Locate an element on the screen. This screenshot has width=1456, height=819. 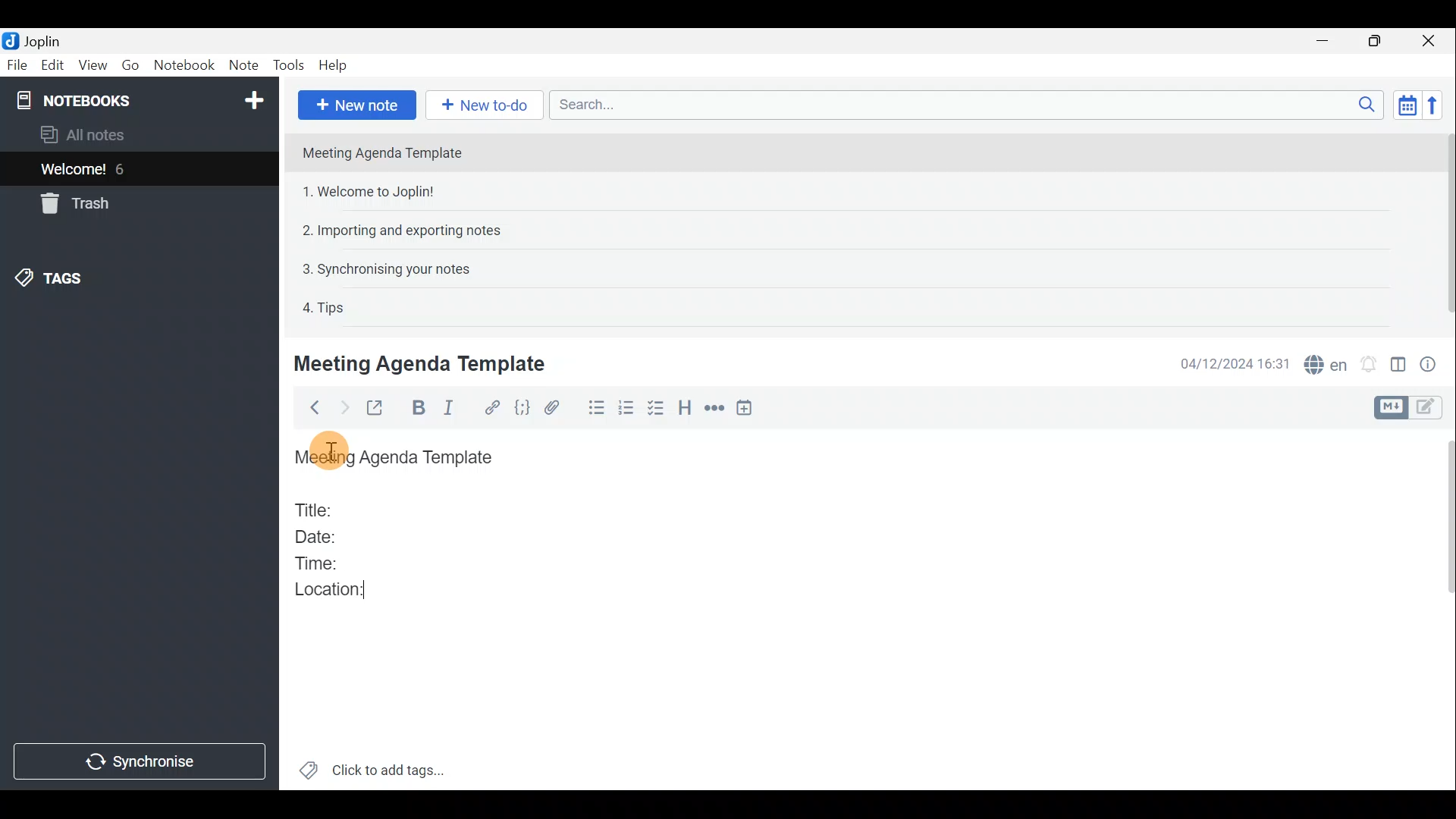
Insert time is located at coordinates (748, 410).